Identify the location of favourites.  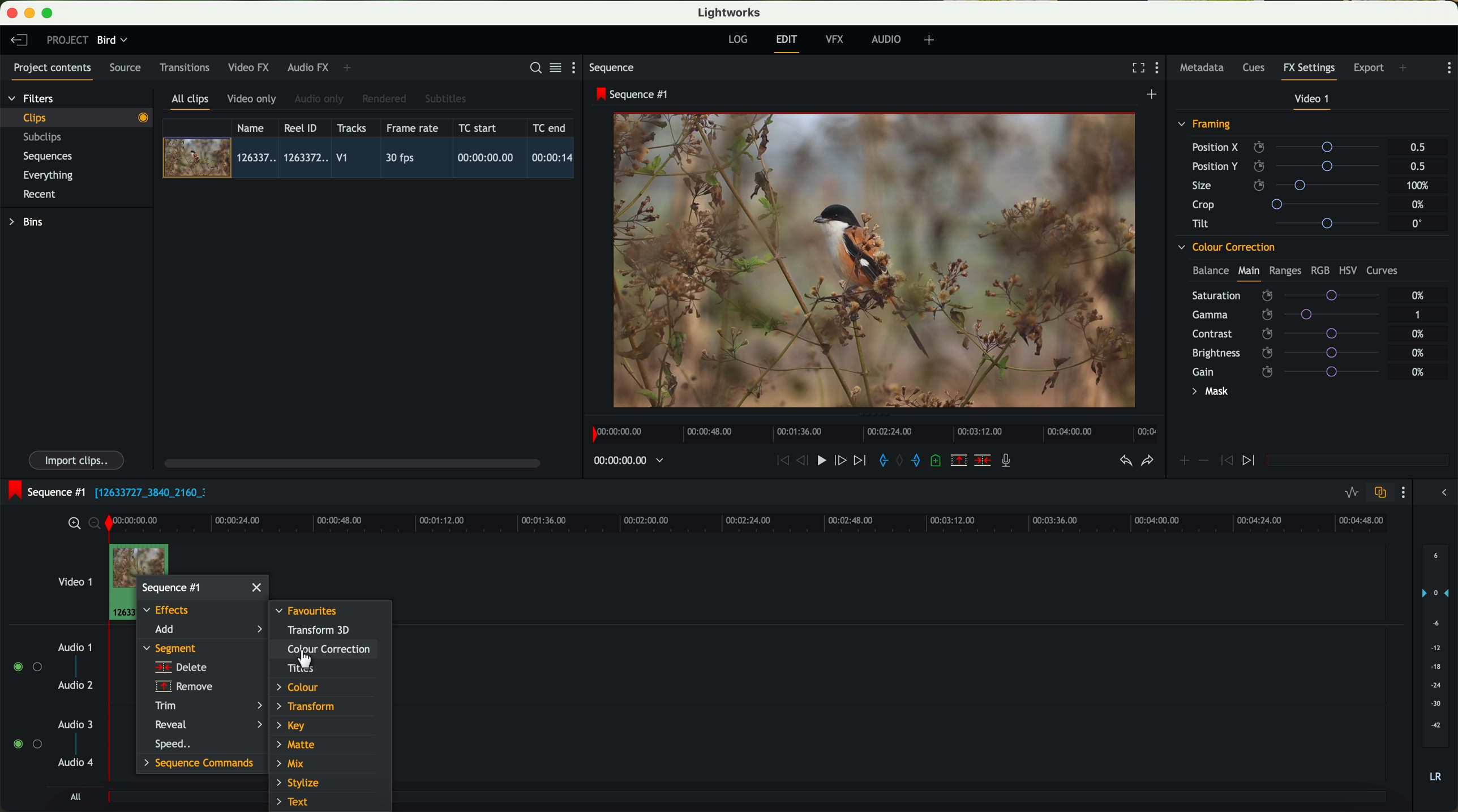
(307, 611).